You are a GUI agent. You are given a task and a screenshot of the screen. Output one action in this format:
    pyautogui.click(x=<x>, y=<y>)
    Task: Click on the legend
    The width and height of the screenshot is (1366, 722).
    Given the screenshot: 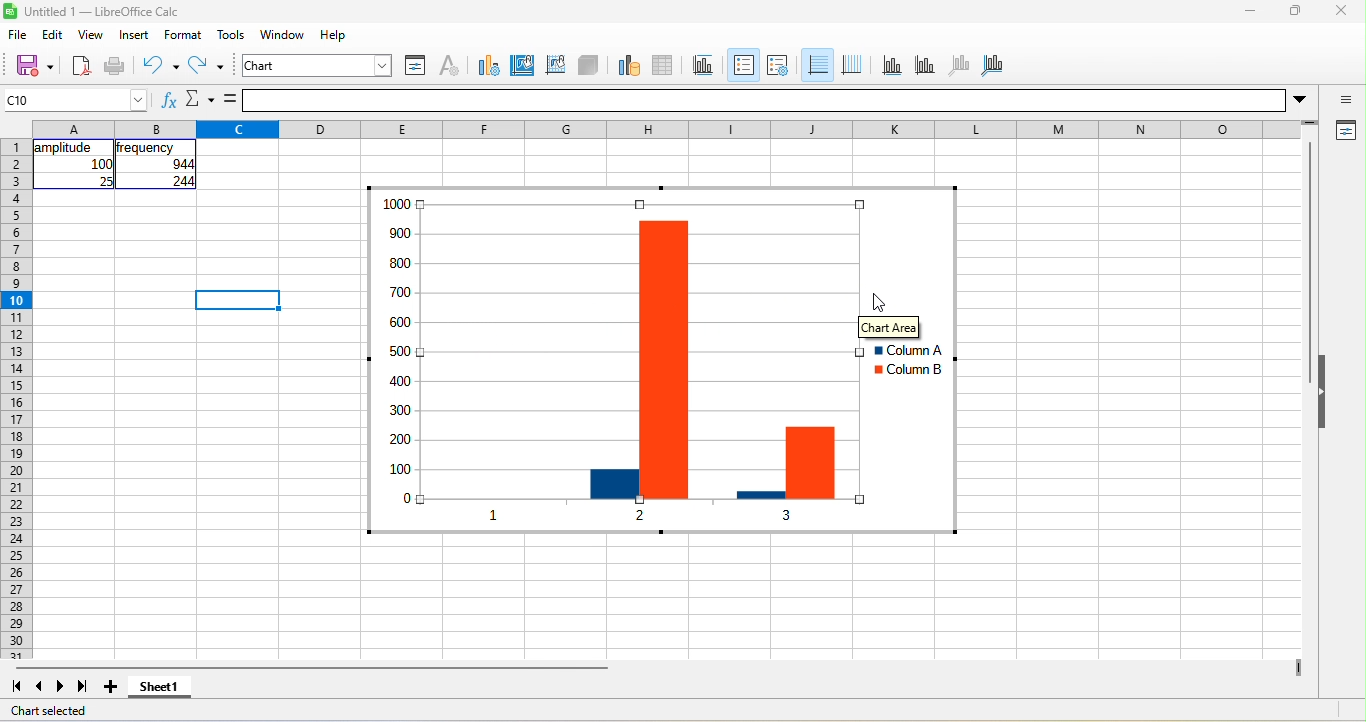 What is the action you would take?
    pyautogui.click(x=777, y=65)
    